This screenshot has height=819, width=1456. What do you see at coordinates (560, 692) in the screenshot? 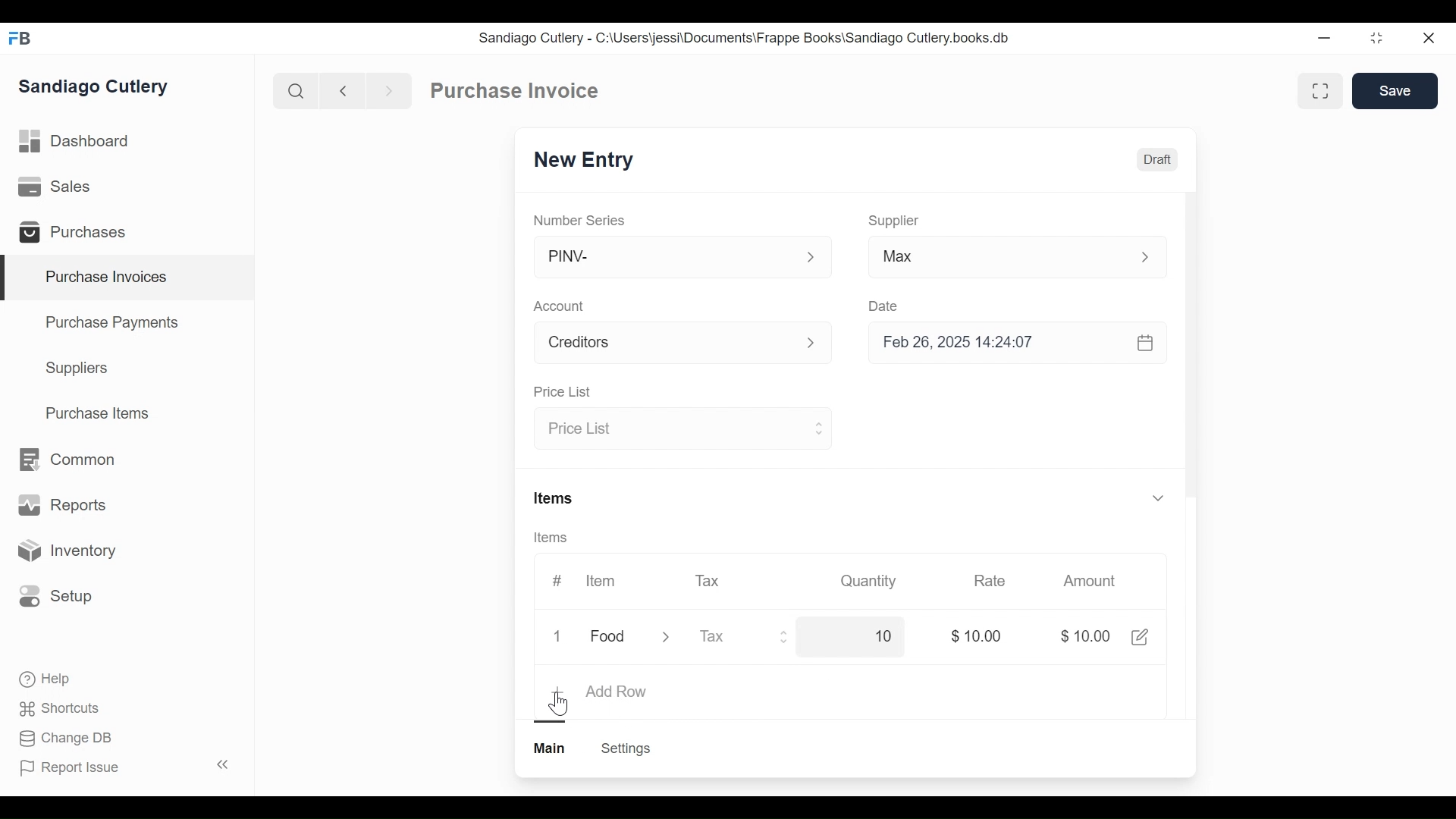
I see `+` at bounding box center [560, 692].